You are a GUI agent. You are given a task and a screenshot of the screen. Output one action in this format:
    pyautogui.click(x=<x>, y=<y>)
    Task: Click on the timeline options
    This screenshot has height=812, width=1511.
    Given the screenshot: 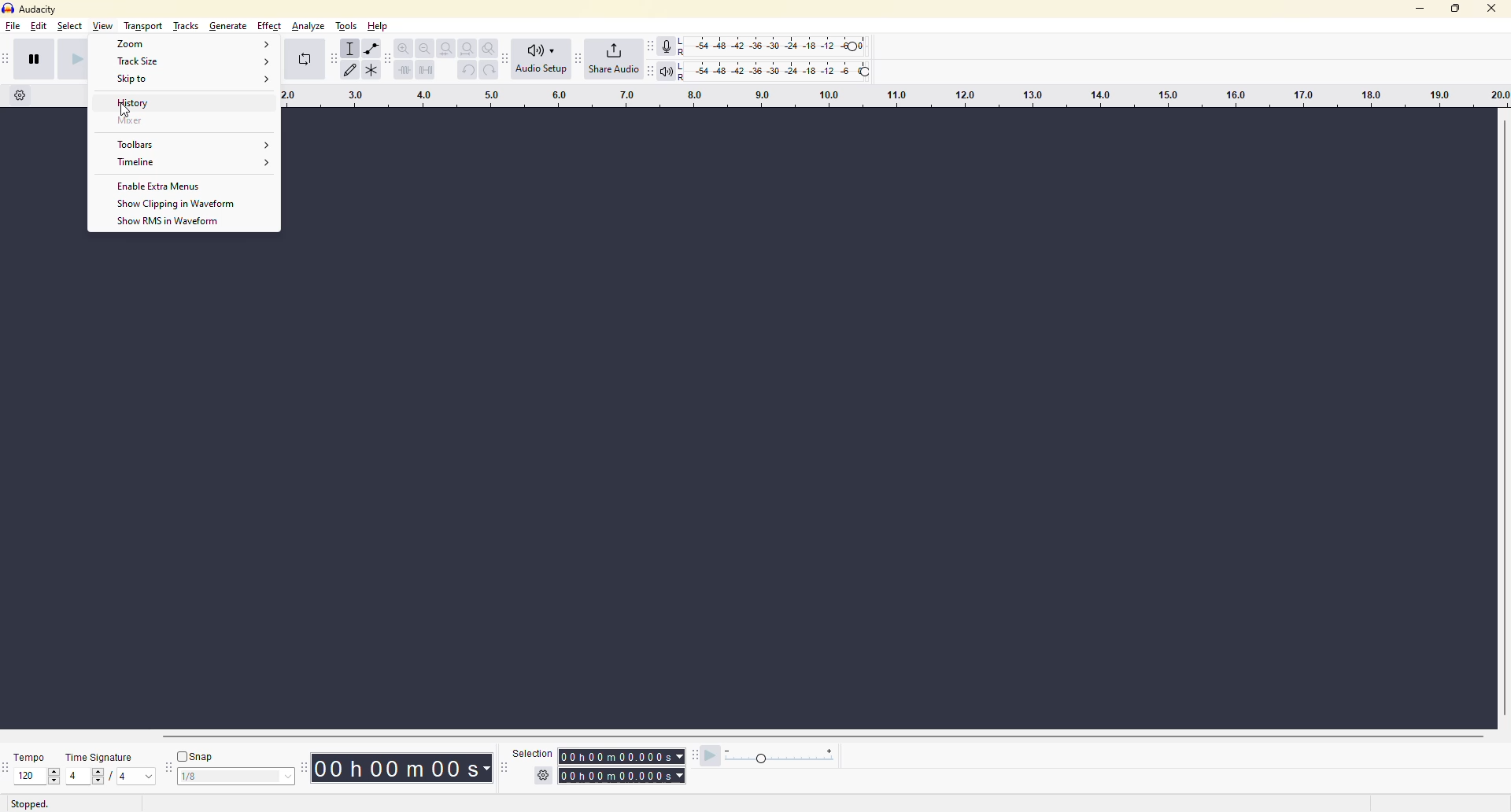 What is the action you would take?
    pyautogui.click(x=20, y=95)
    